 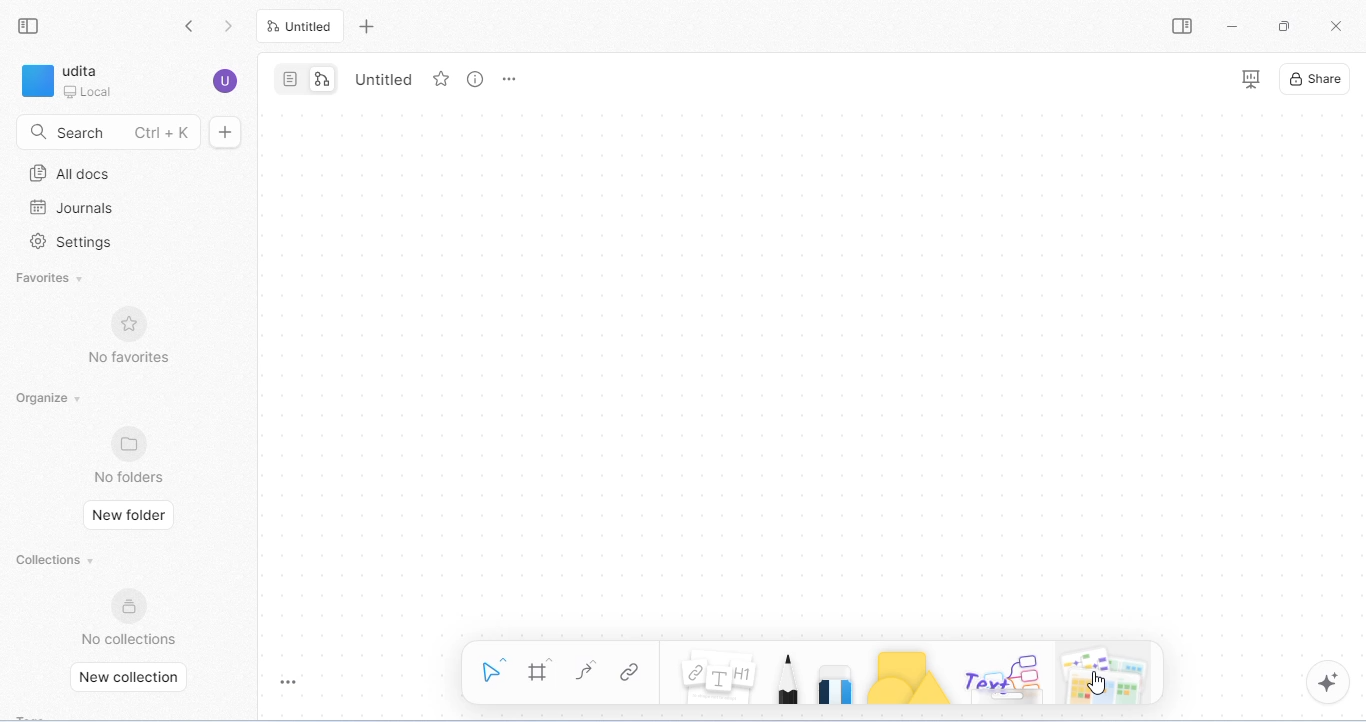 I want to click on new tab, so click(x=369, y=28).